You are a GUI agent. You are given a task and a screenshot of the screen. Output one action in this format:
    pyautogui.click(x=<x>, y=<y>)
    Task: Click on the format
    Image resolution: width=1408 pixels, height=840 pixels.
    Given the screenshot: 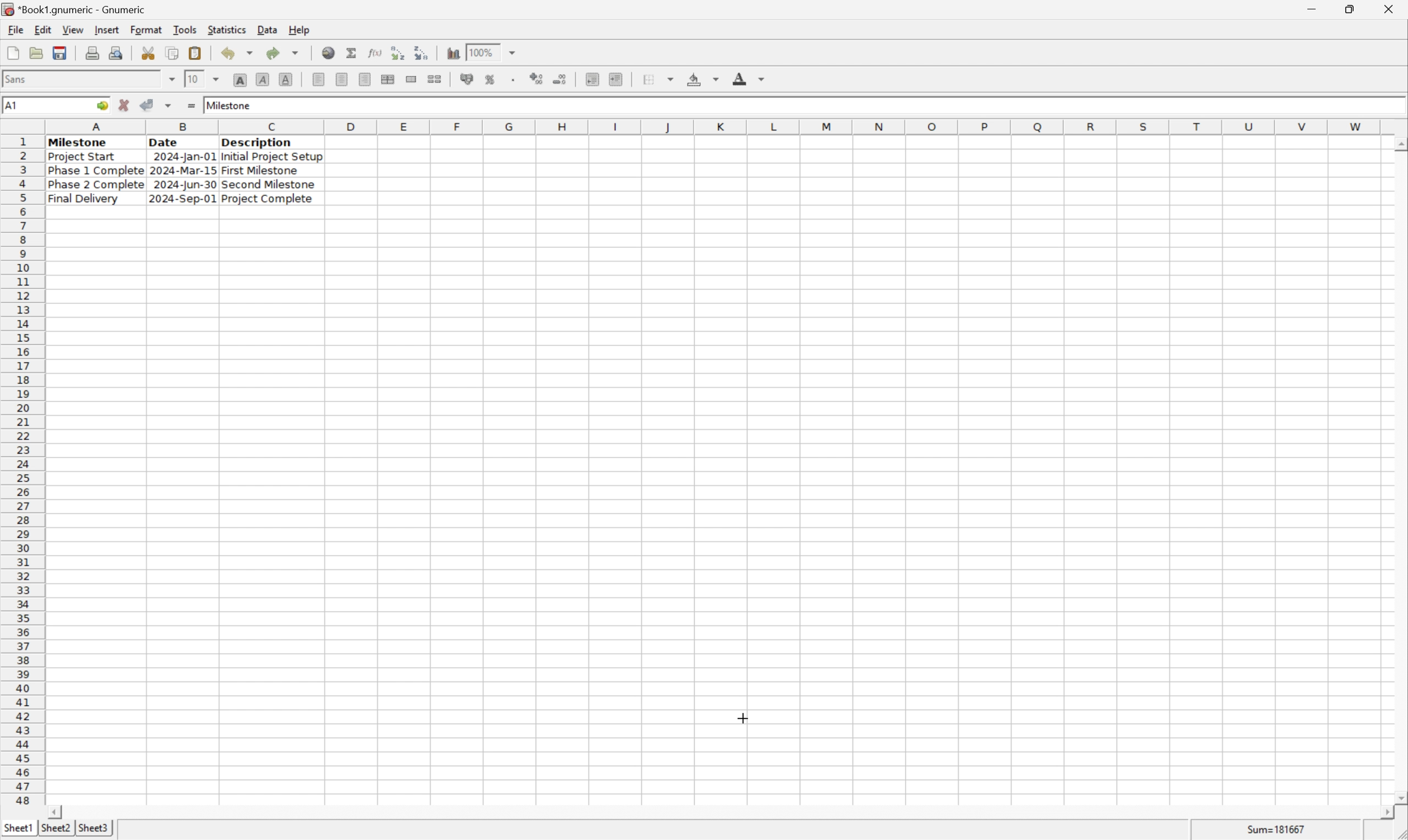 What is the action you would take?
    pyautogui.click(x=145, y=29)
    